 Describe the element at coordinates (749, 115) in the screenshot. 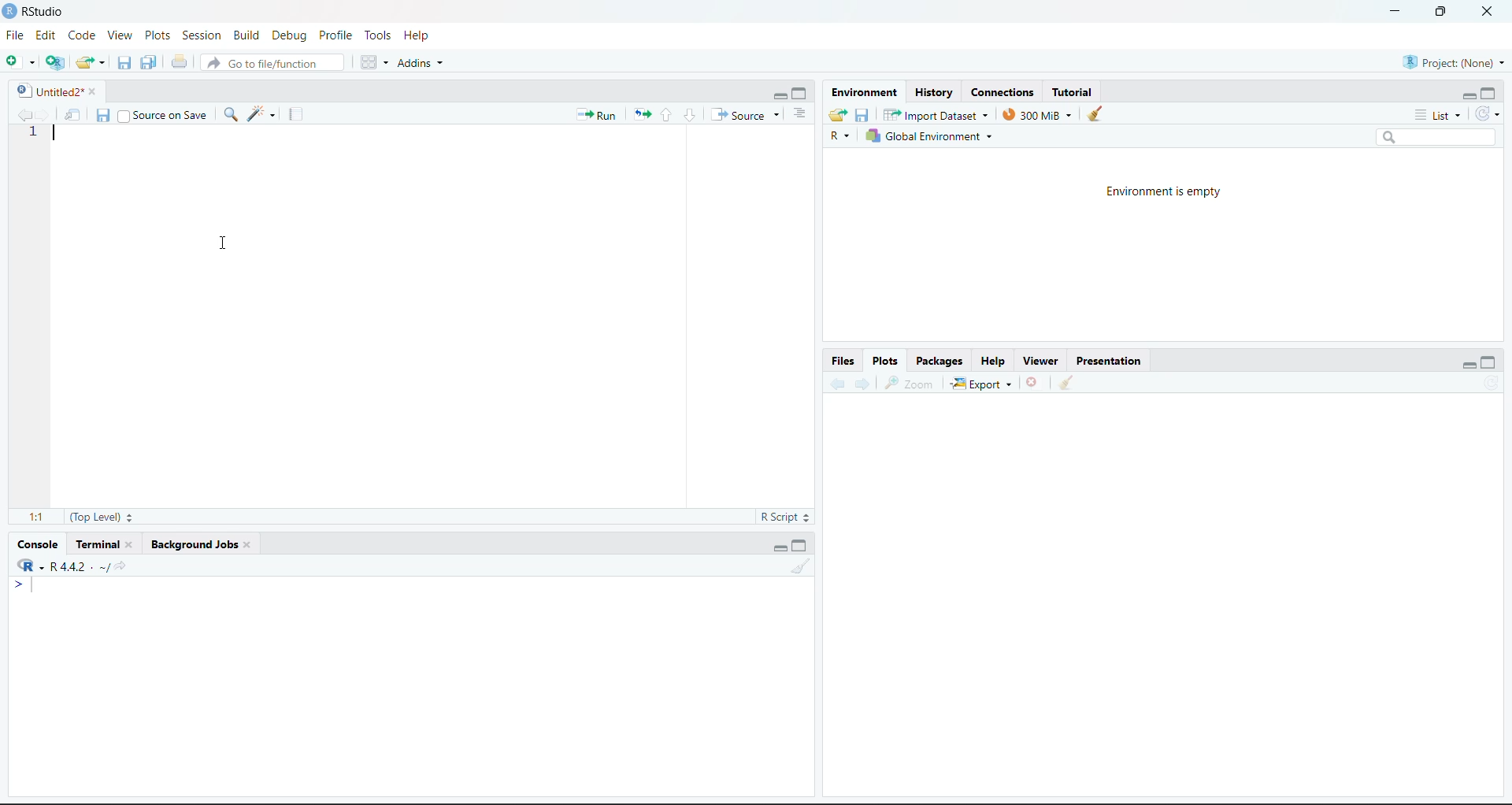

I see ` Source ` at that location.